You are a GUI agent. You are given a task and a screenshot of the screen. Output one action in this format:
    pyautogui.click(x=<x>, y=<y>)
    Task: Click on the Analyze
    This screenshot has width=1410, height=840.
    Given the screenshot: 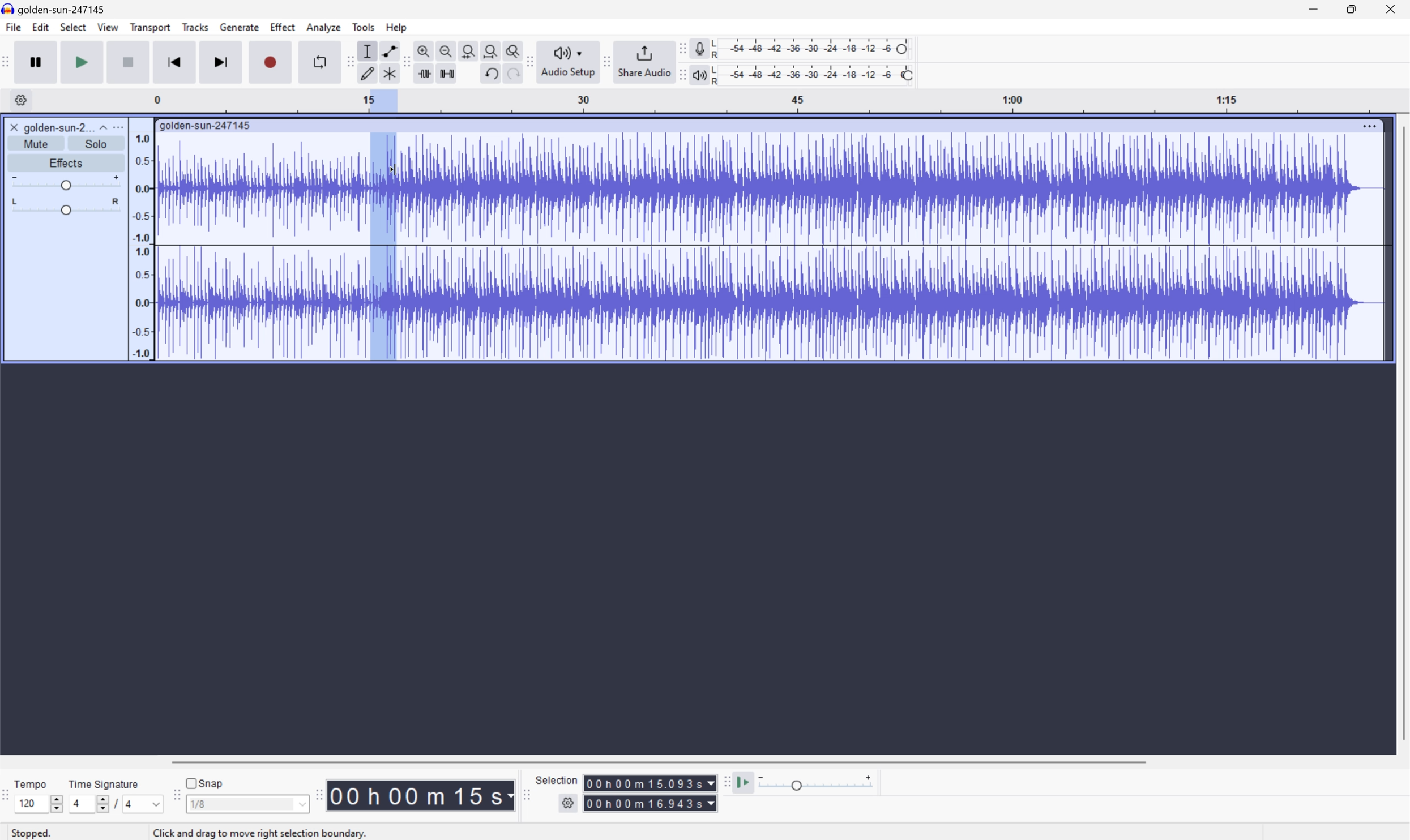 What is the action you would take?
    pyautogui.click(x=323, y=27)
    